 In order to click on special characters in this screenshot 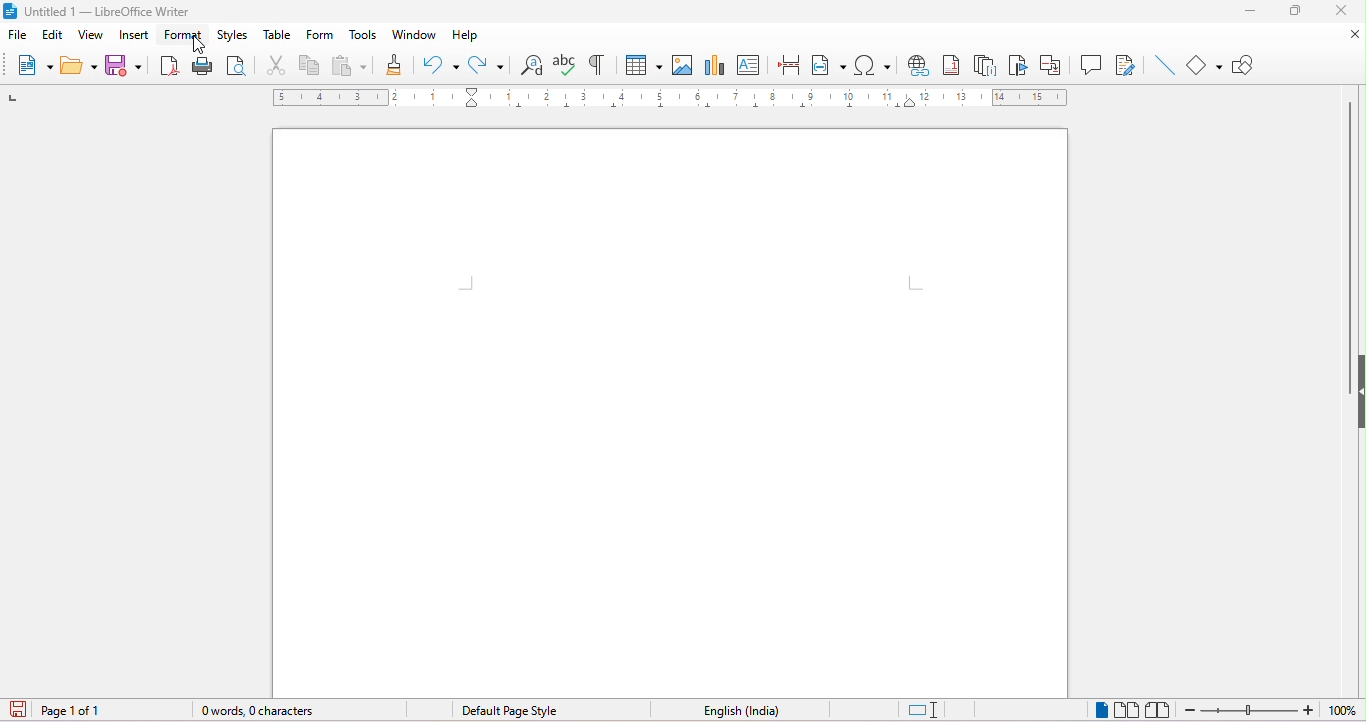, I will do `click(877, 68)`.